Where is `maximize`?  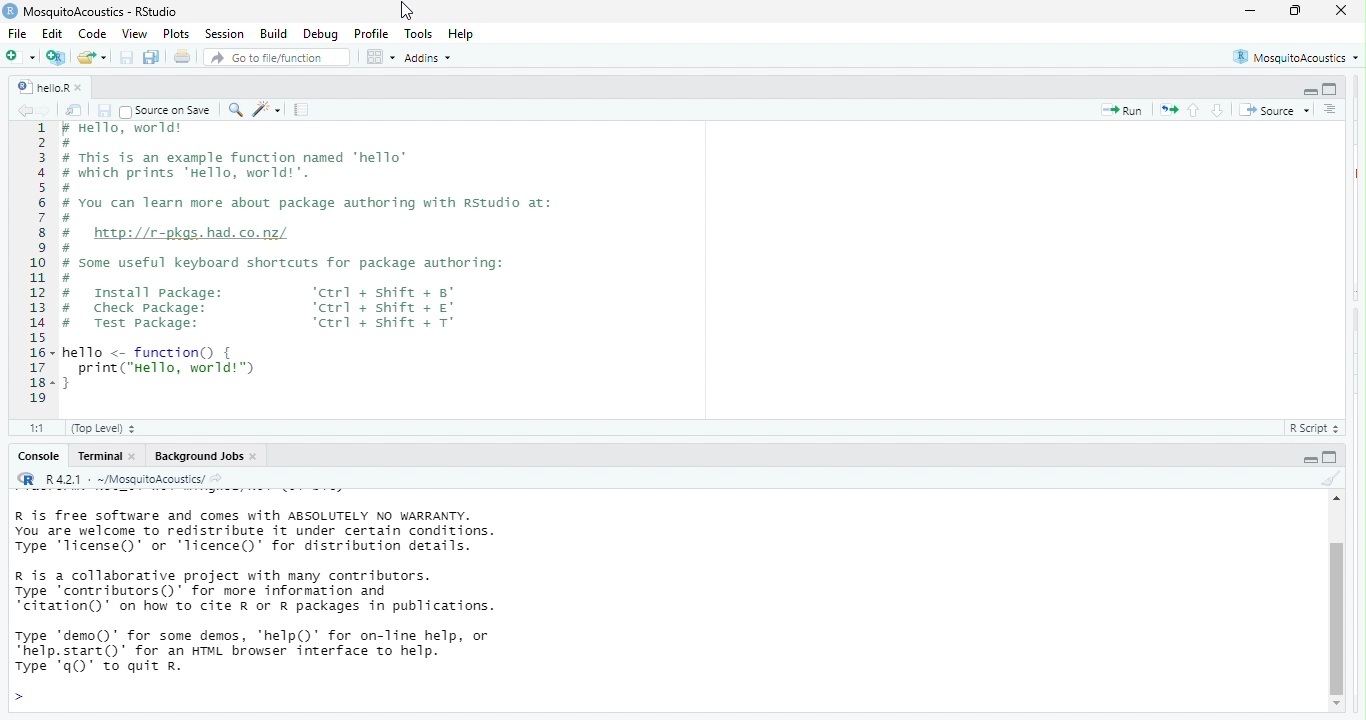
maximize is located at coordinates (1292, 12).